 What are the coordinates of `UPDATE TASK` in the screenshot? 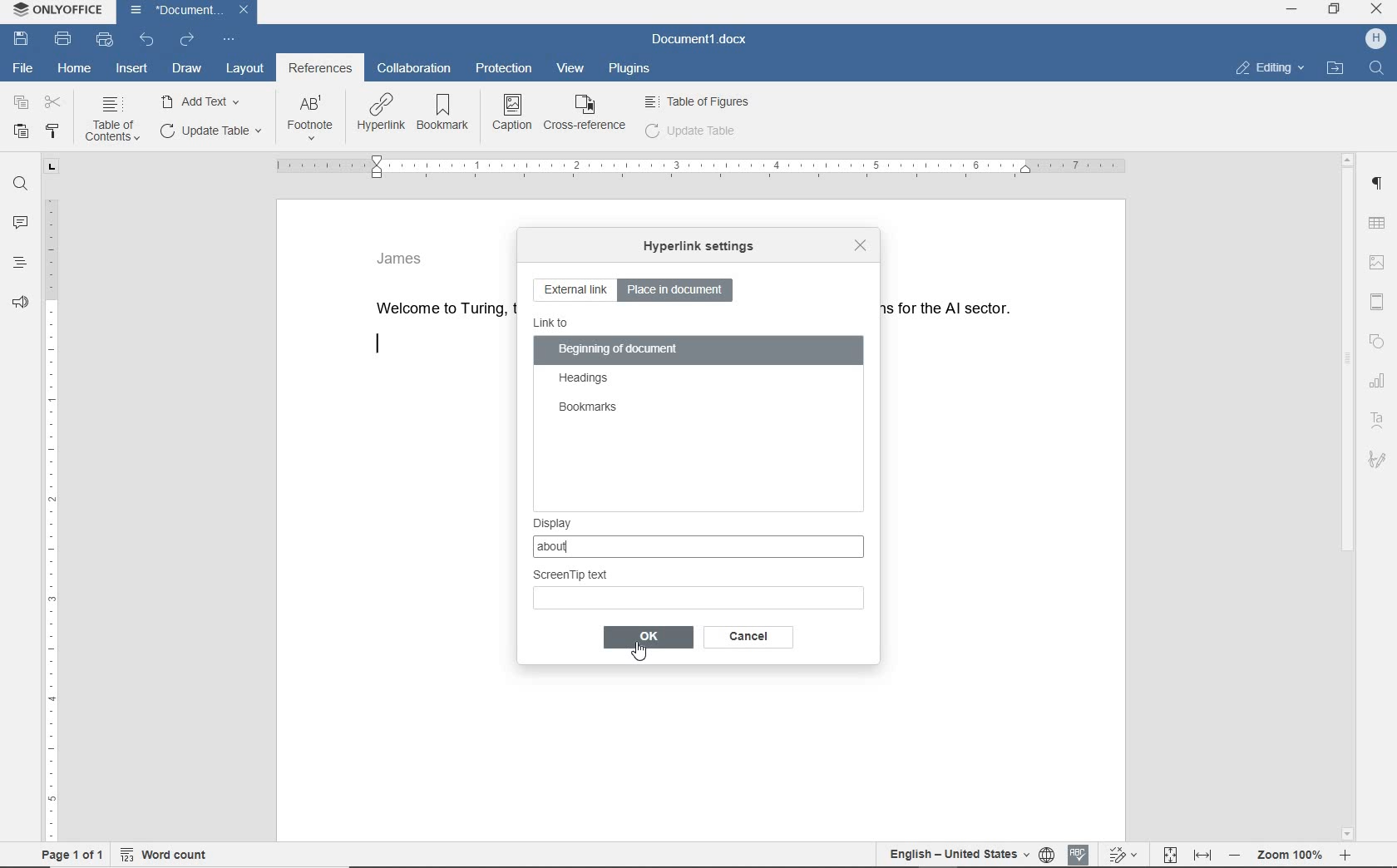 It's located at (209, 131).